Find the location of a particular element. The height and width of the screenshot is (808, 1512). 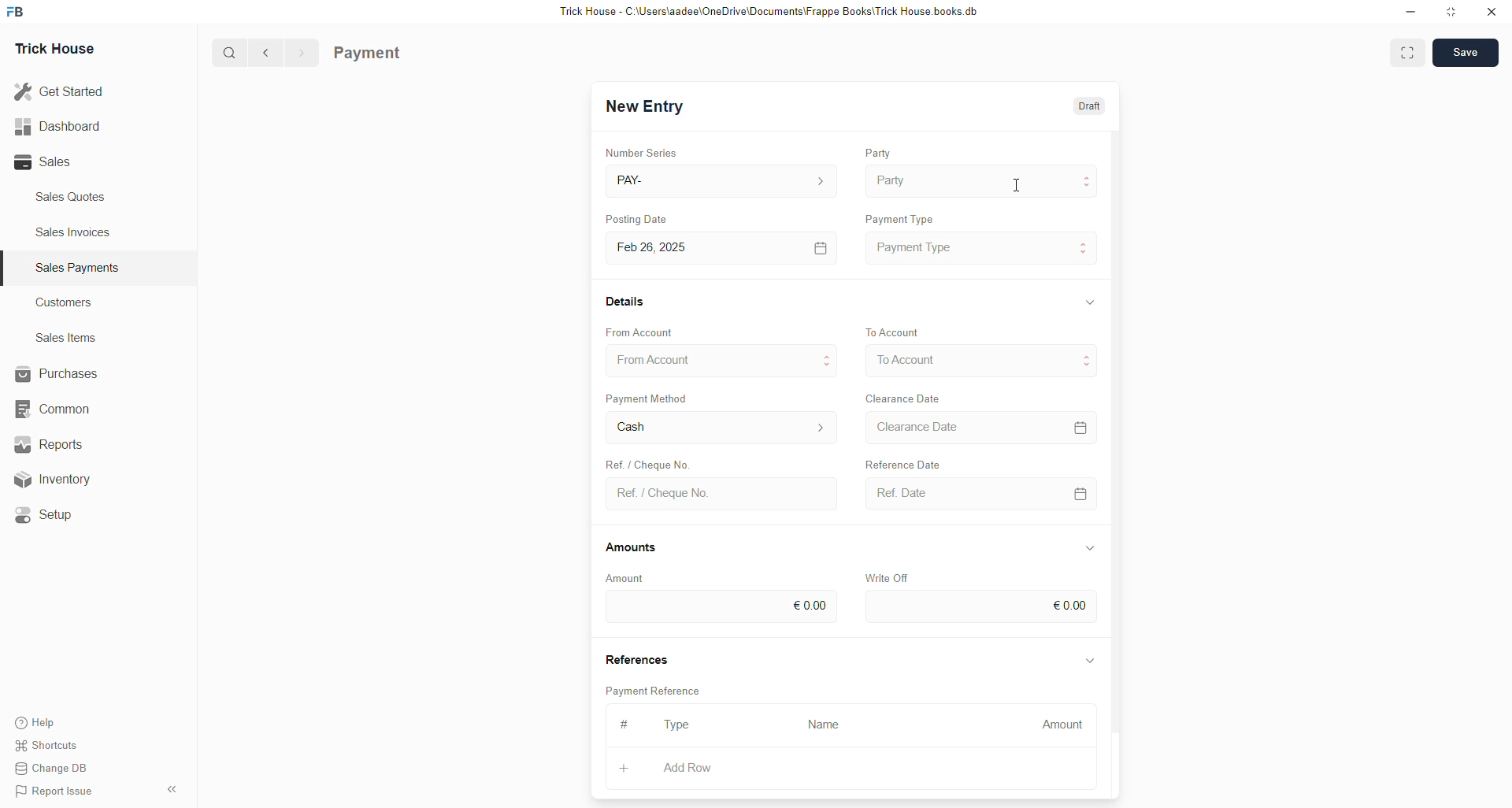

logo is located at coordinates (17, 12).